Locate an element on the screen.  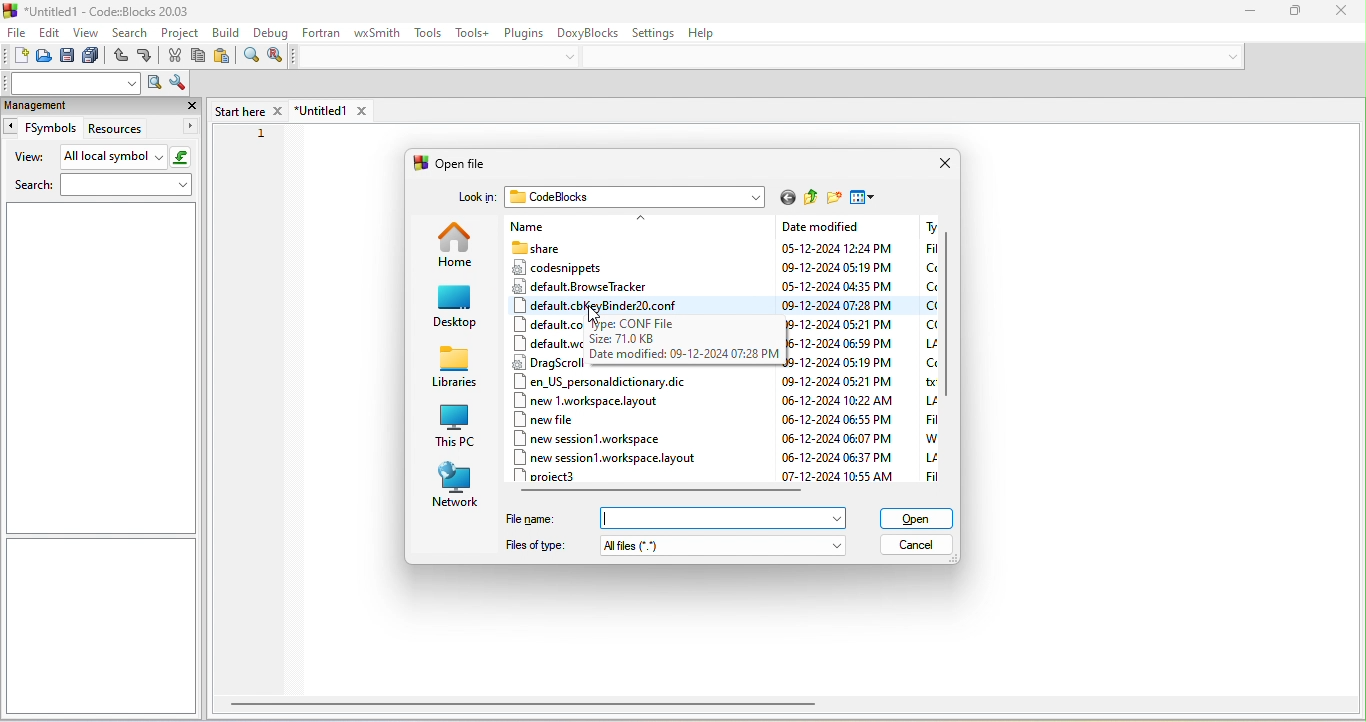
copy is located at coordinates (197, 56).